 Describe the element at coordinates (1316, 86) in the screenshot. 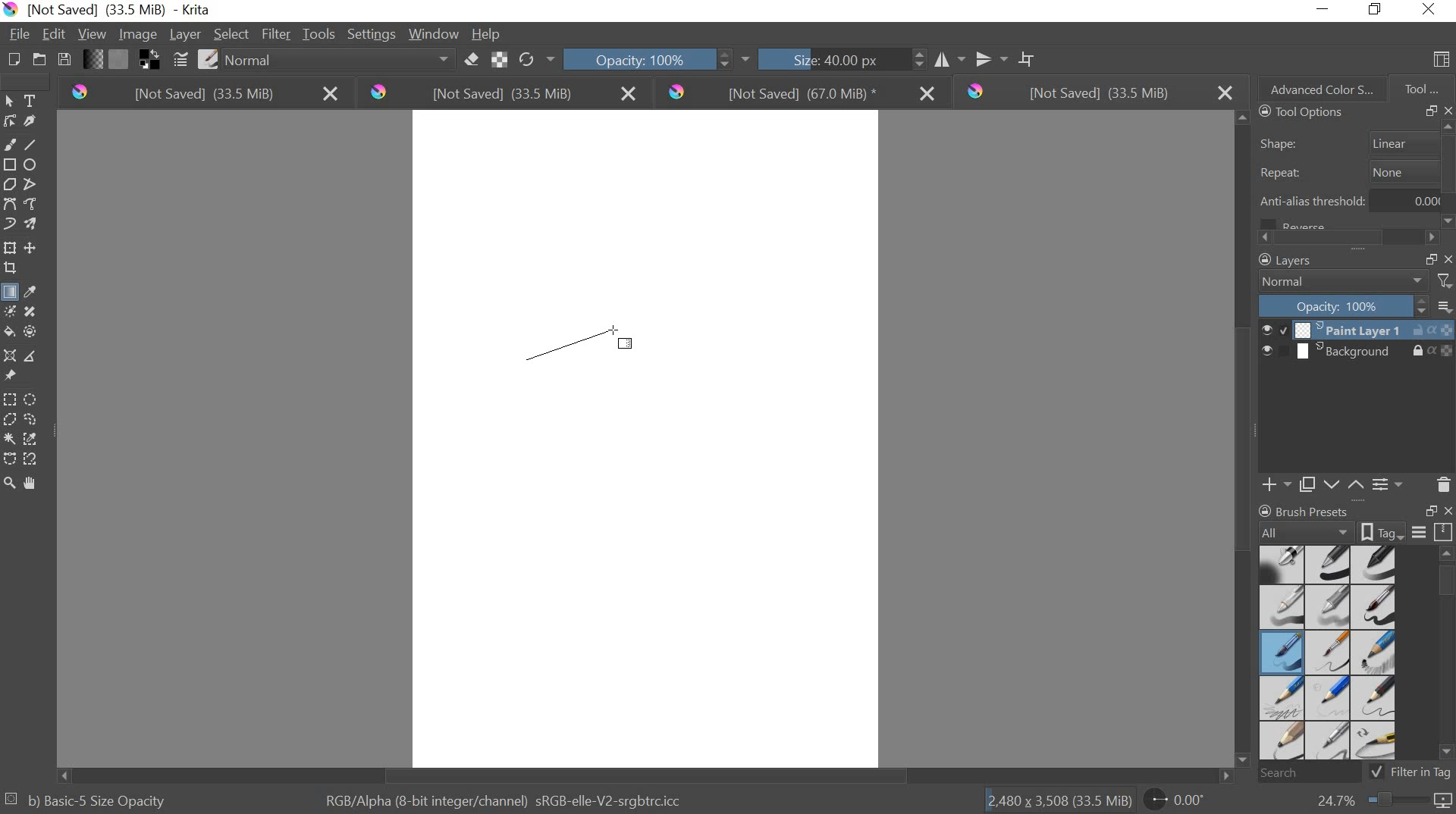

I see `ADVANCED COLOR SELECTION` at that location.